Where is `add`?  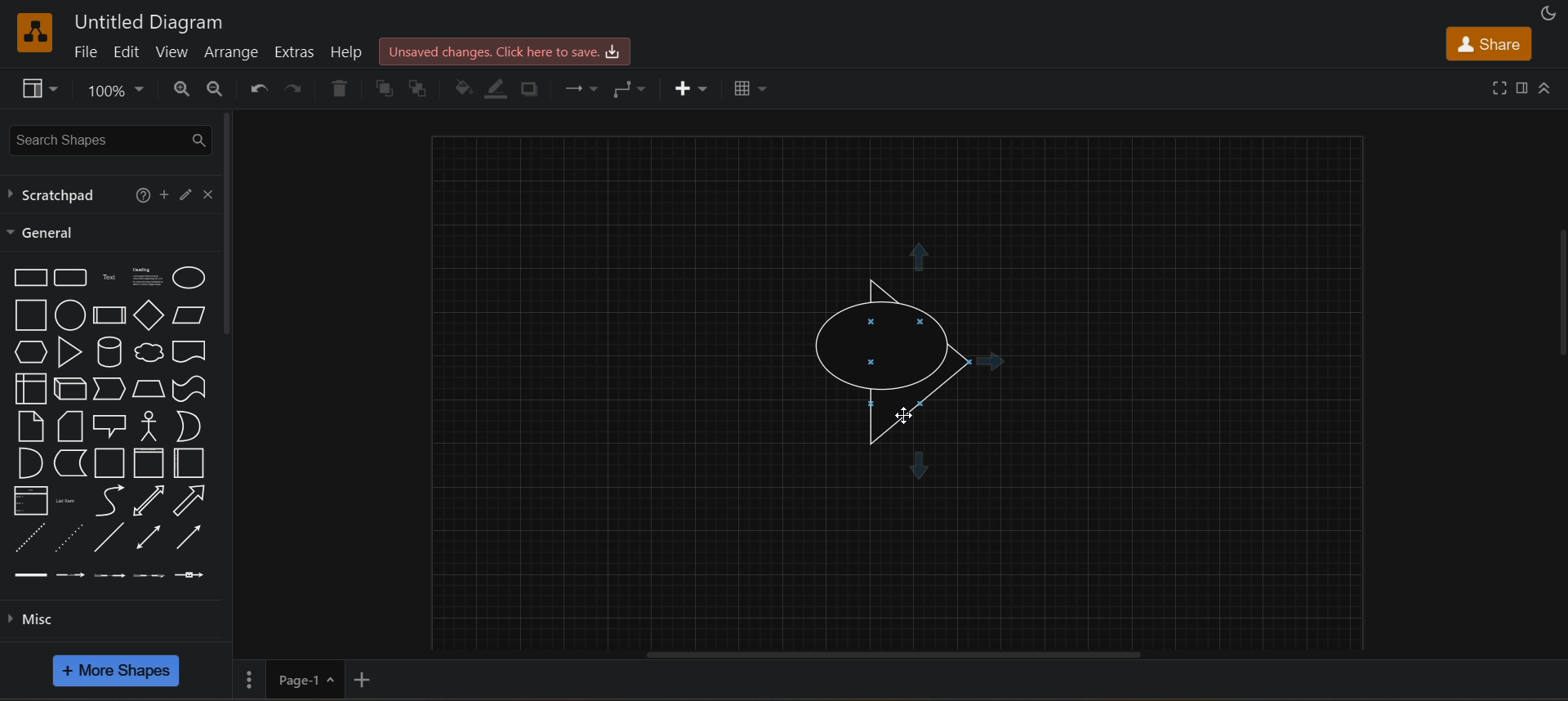 add is located at coordinates (167, 194).